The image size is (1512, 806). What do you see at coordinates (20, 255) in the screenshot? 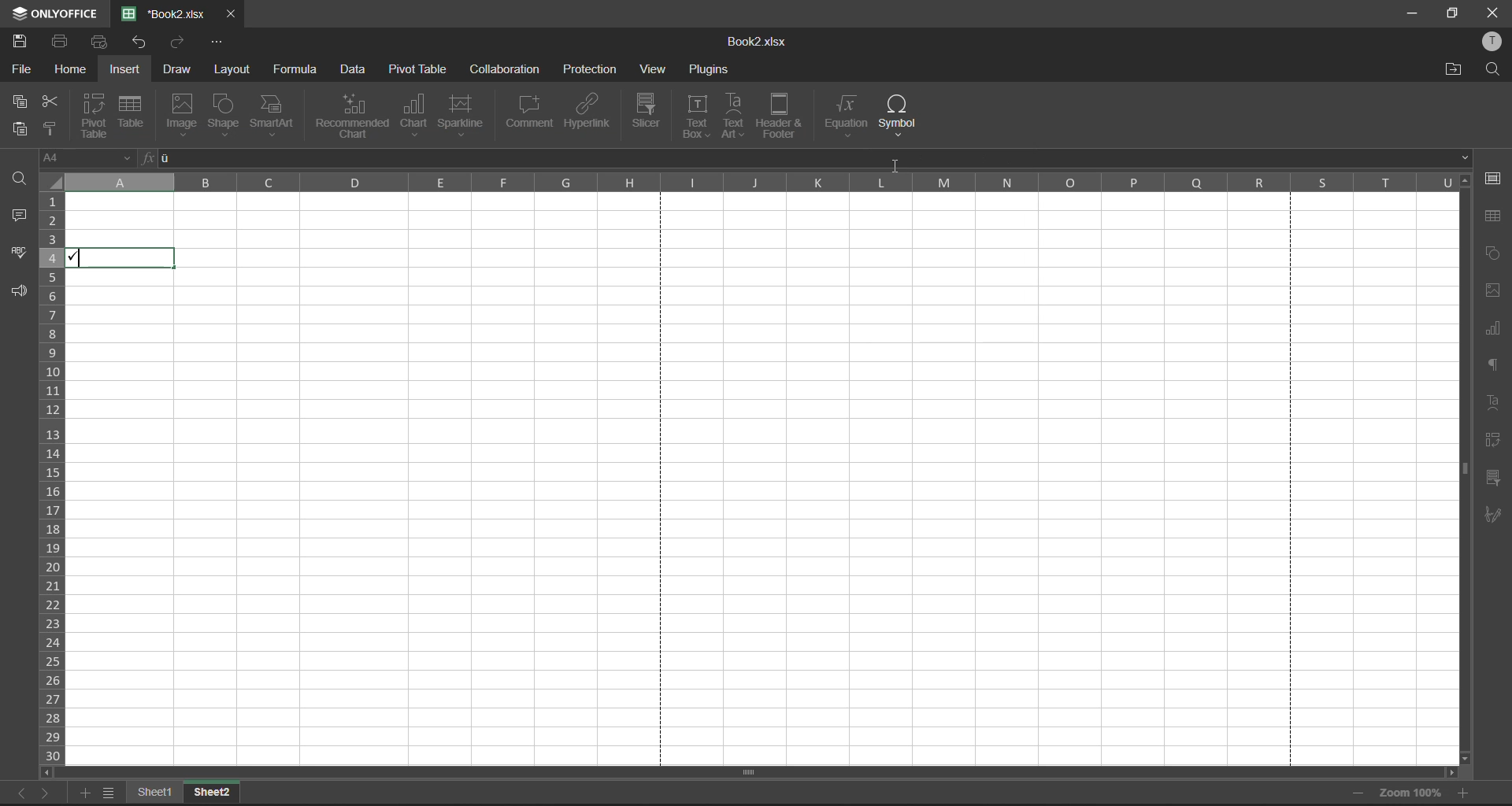
I see `spellcheck` at bounding box center [20, 255].